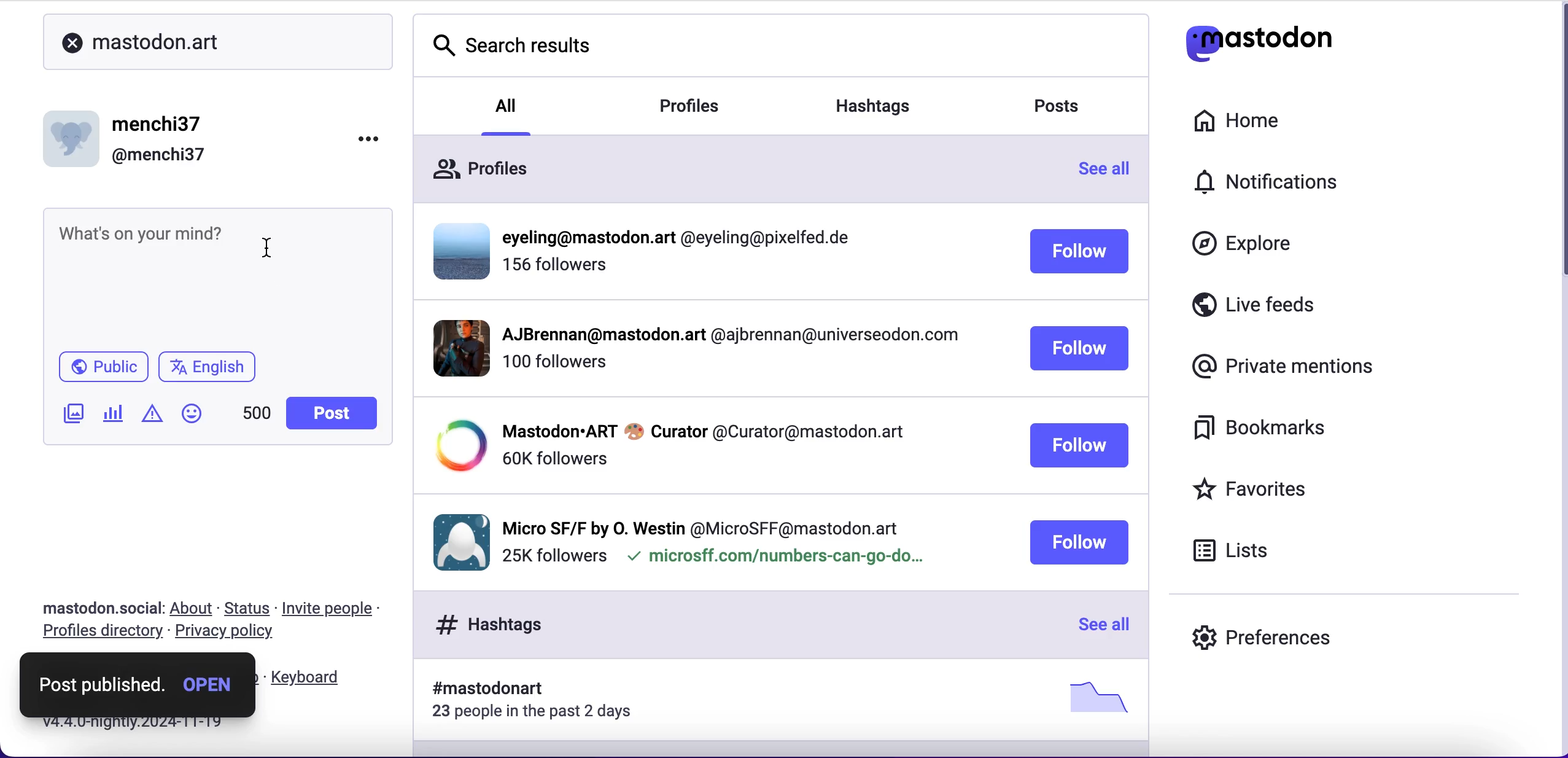 The image size is (1568, 758). What do you see at coordinates (159, 125) in the screenshot?
I see `menchi37` at bounding box center [159, 125].